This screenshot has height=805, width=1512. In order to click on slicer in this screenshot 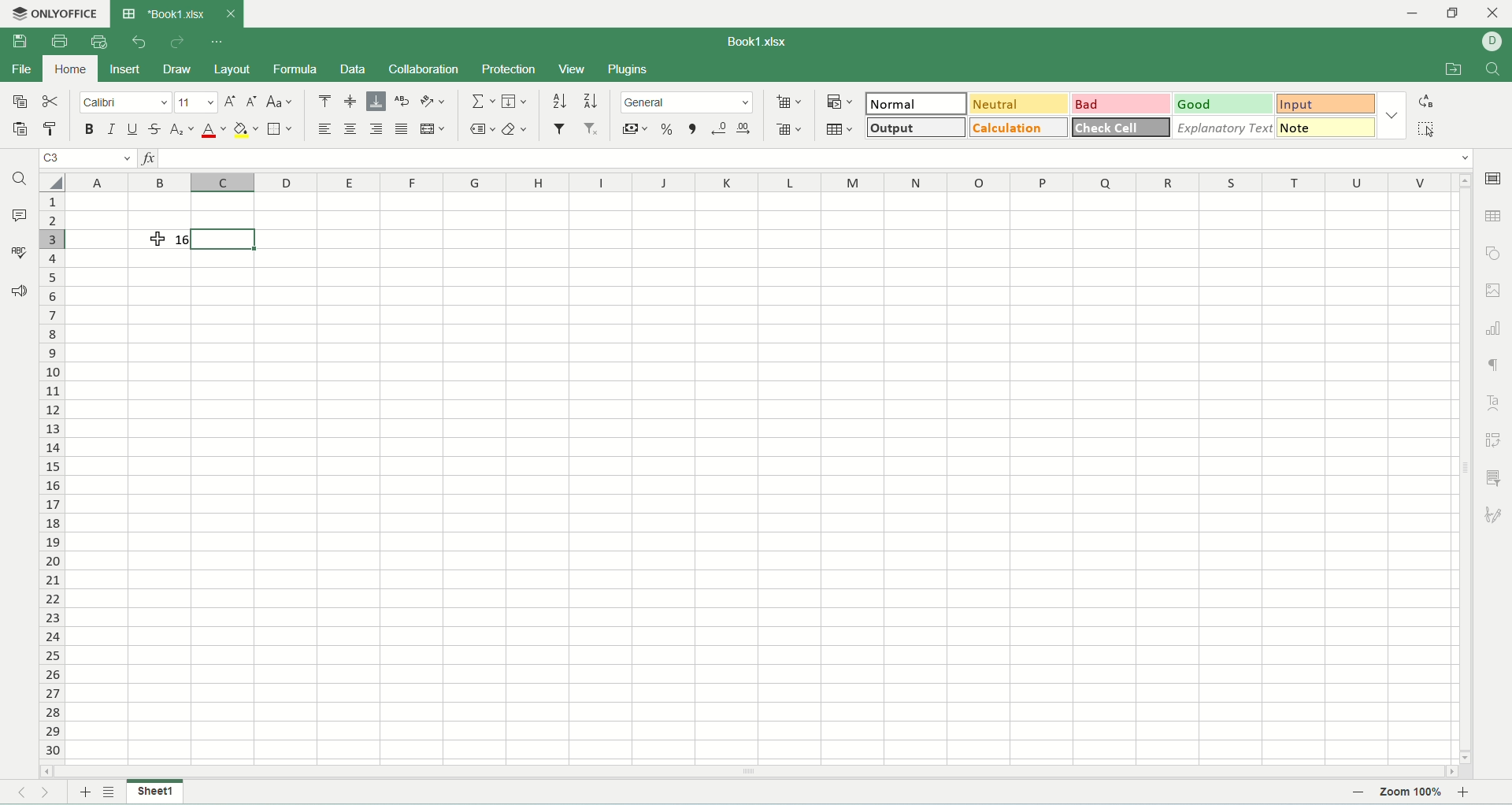, I will do `click(1497, 477)`.